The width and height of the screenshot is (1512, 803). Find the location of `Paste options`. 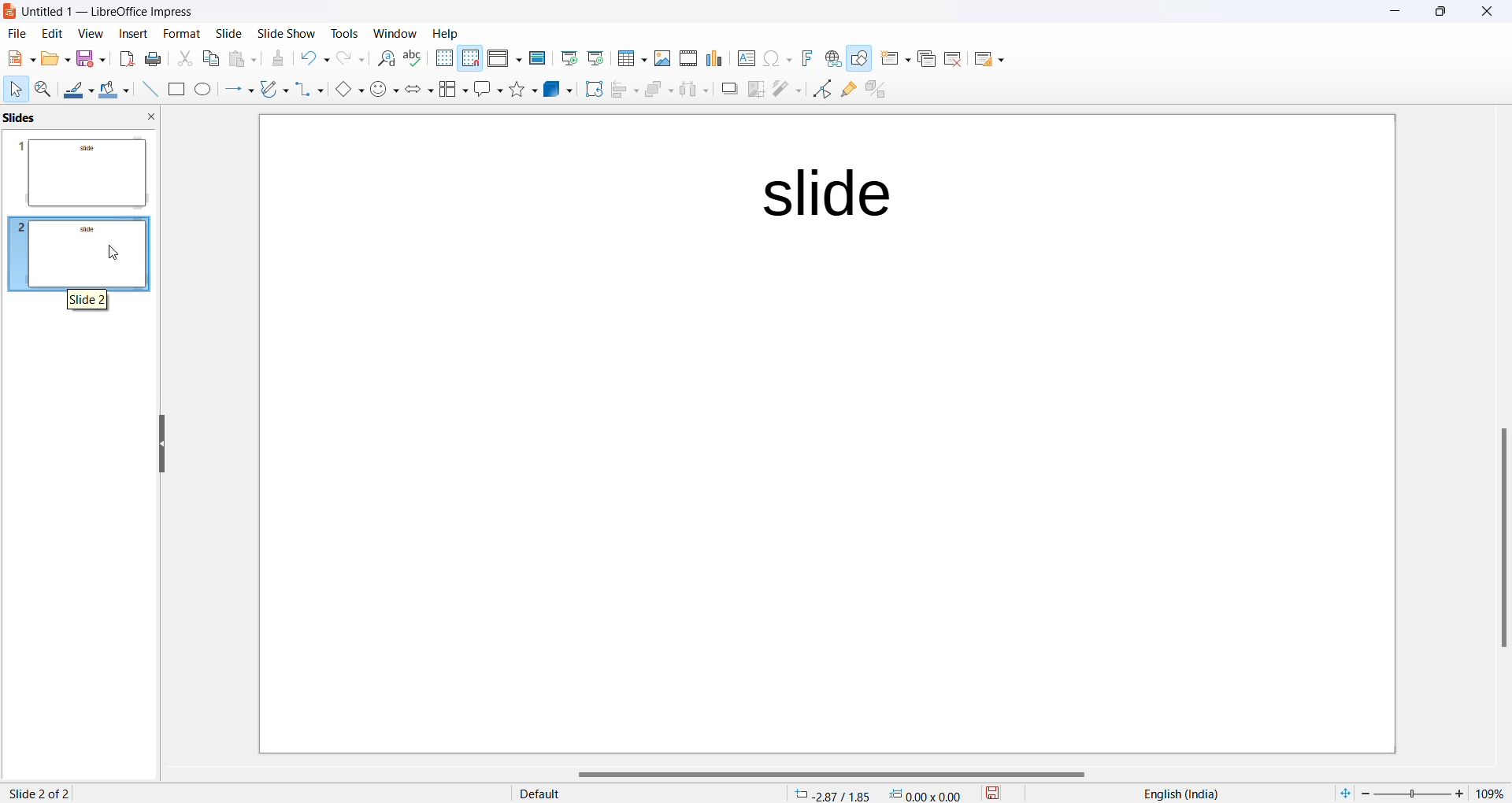

Paste options is located at coordinates (244, 58).